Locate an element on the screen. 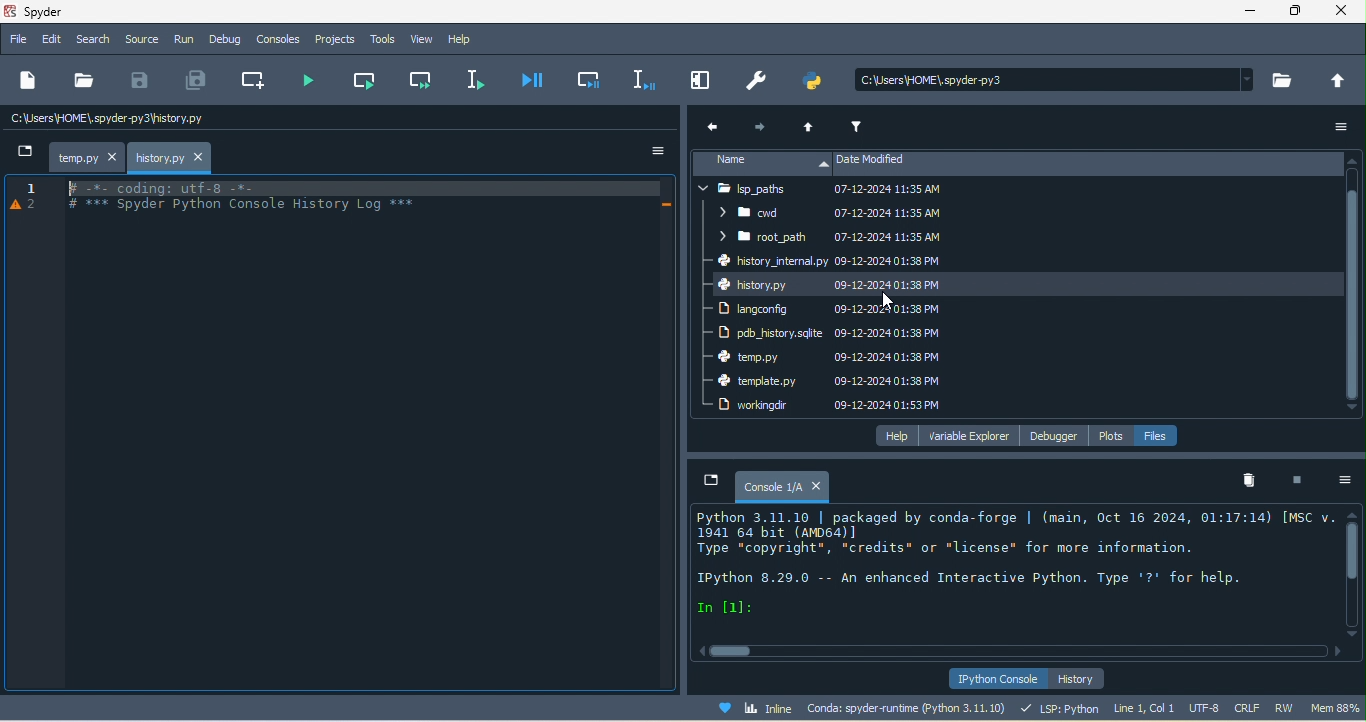  minimize is located at coordinates (1247, 11).